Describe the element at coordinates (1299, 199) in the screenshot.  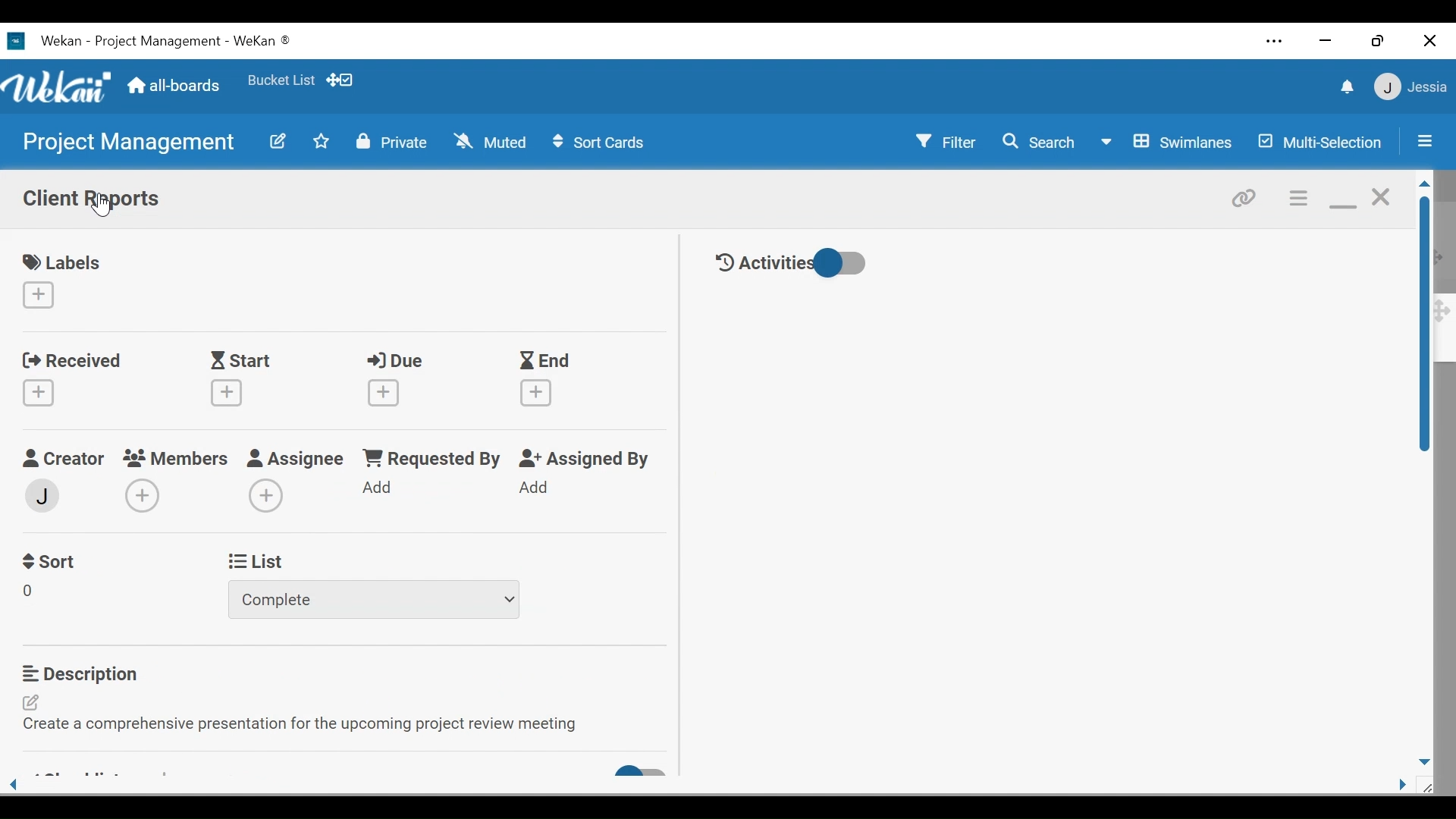
I see `Card actions` at that location.